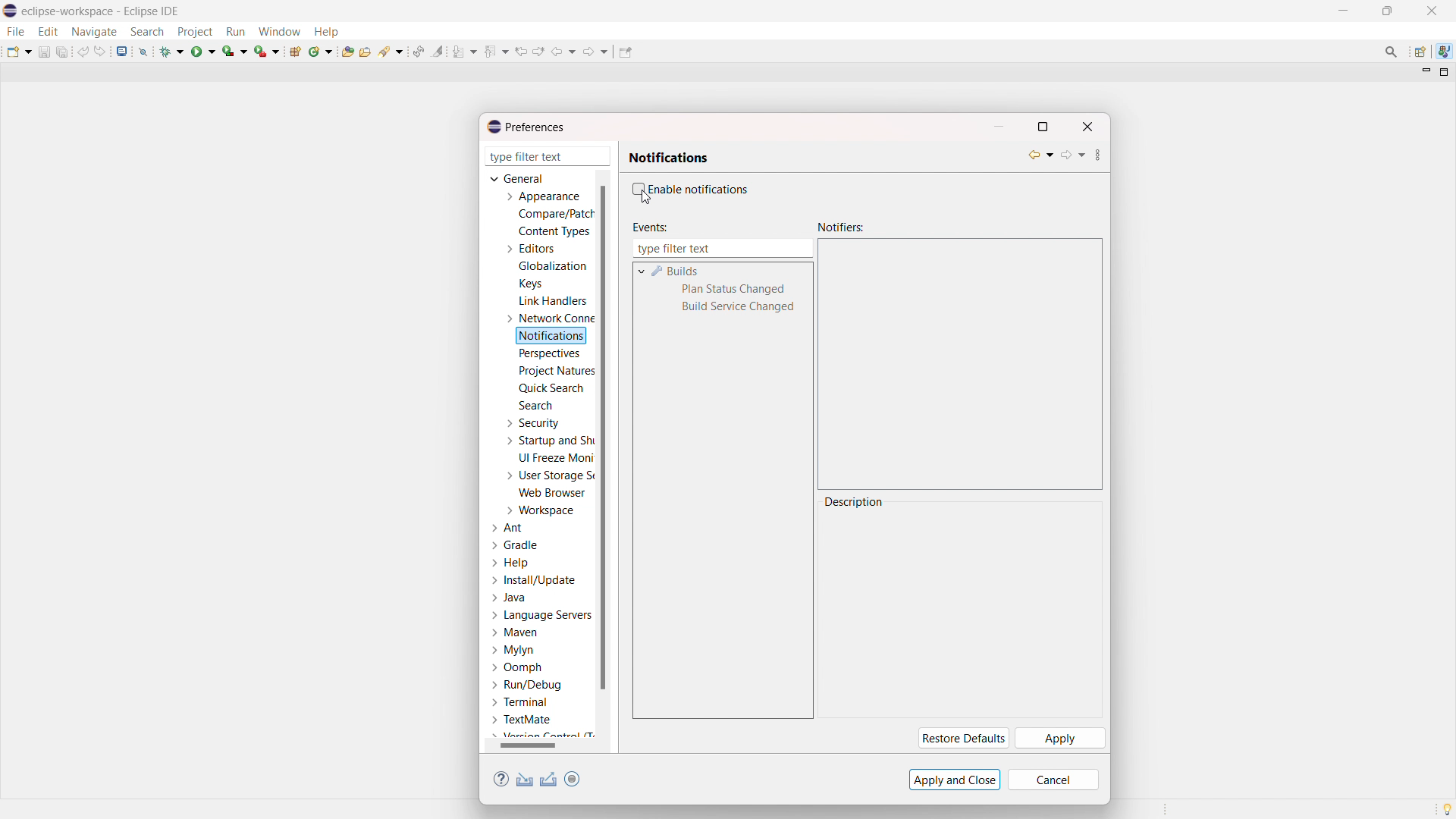  Describe the element at coordinates (676, 271) in the screenshot. I see `builds` at that location.